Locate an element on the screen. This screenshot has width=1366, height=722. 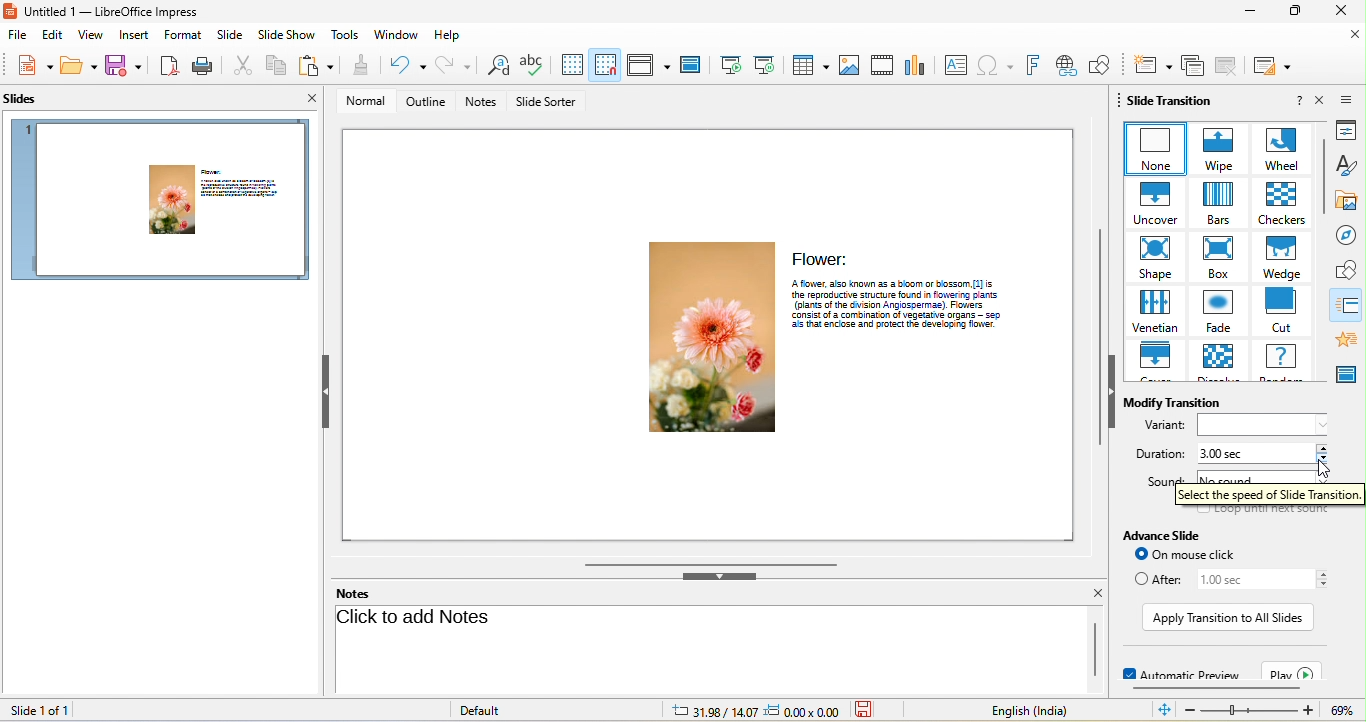
sidebar settings is located at coordinates (1351, 98).